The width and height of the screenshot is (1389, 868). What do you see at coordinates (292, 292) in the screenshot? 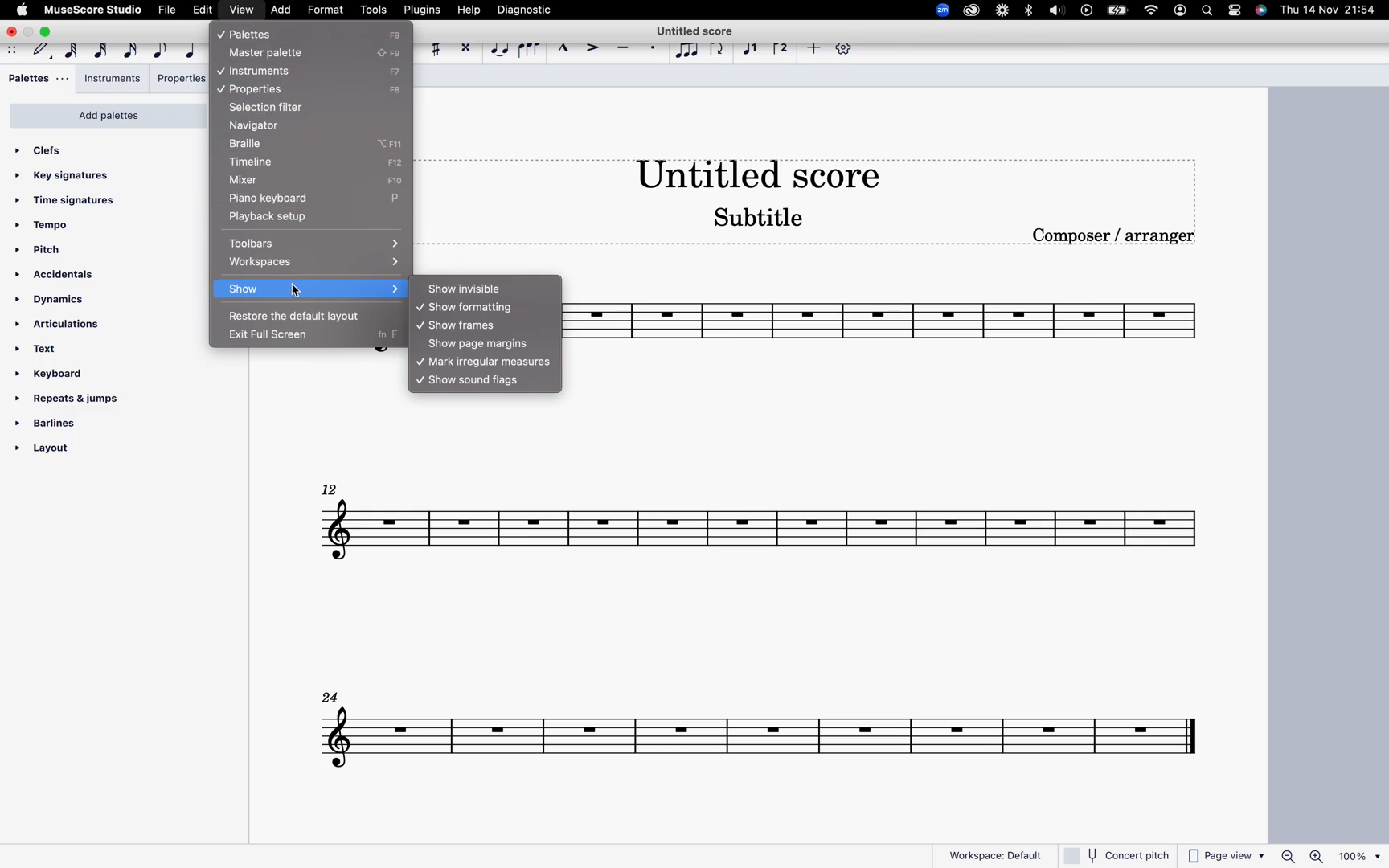
I see `cursor` at bounding box center [292, 292].